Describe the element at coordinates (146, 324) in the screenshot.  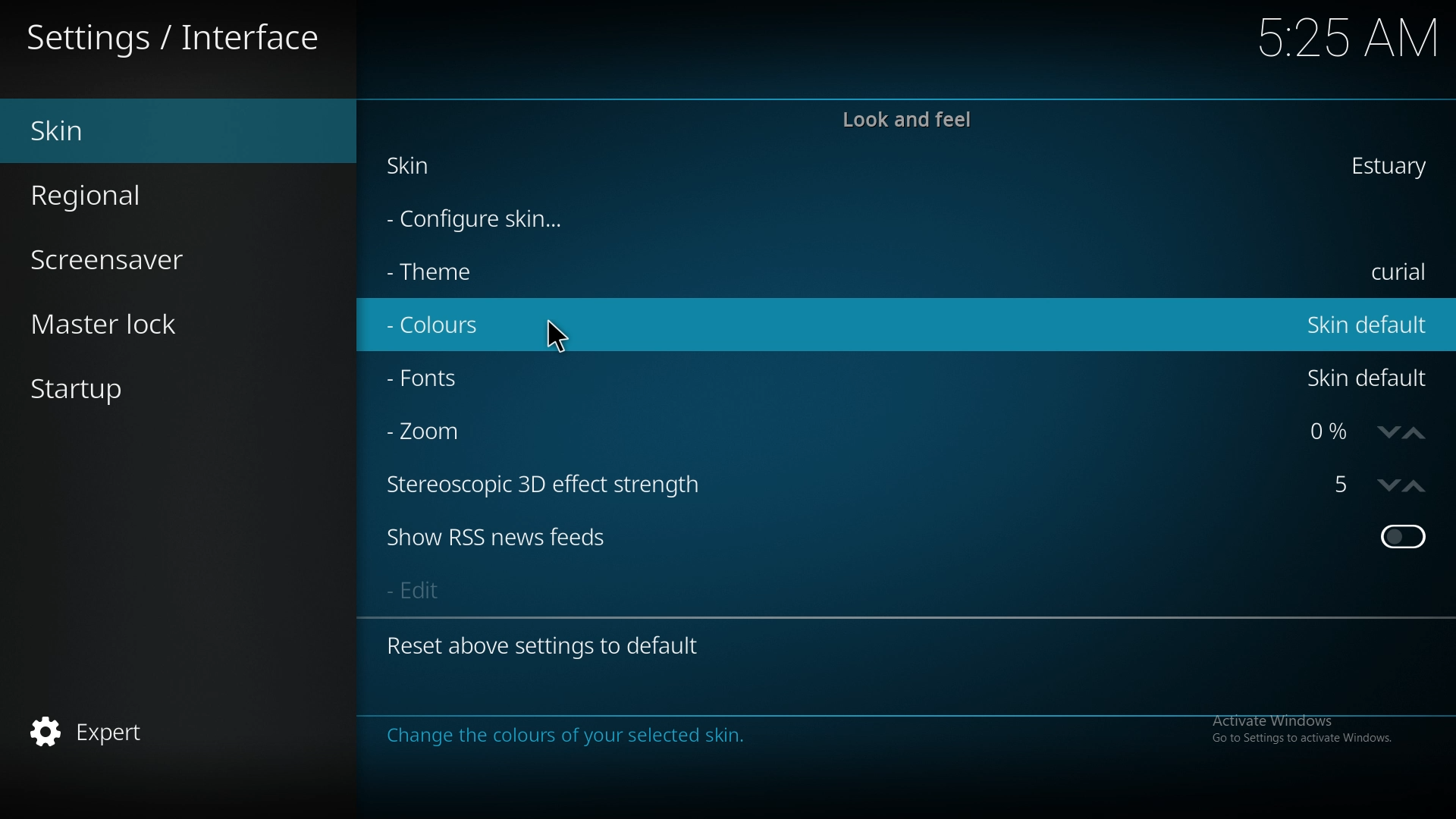
I see `master lock` at that location.